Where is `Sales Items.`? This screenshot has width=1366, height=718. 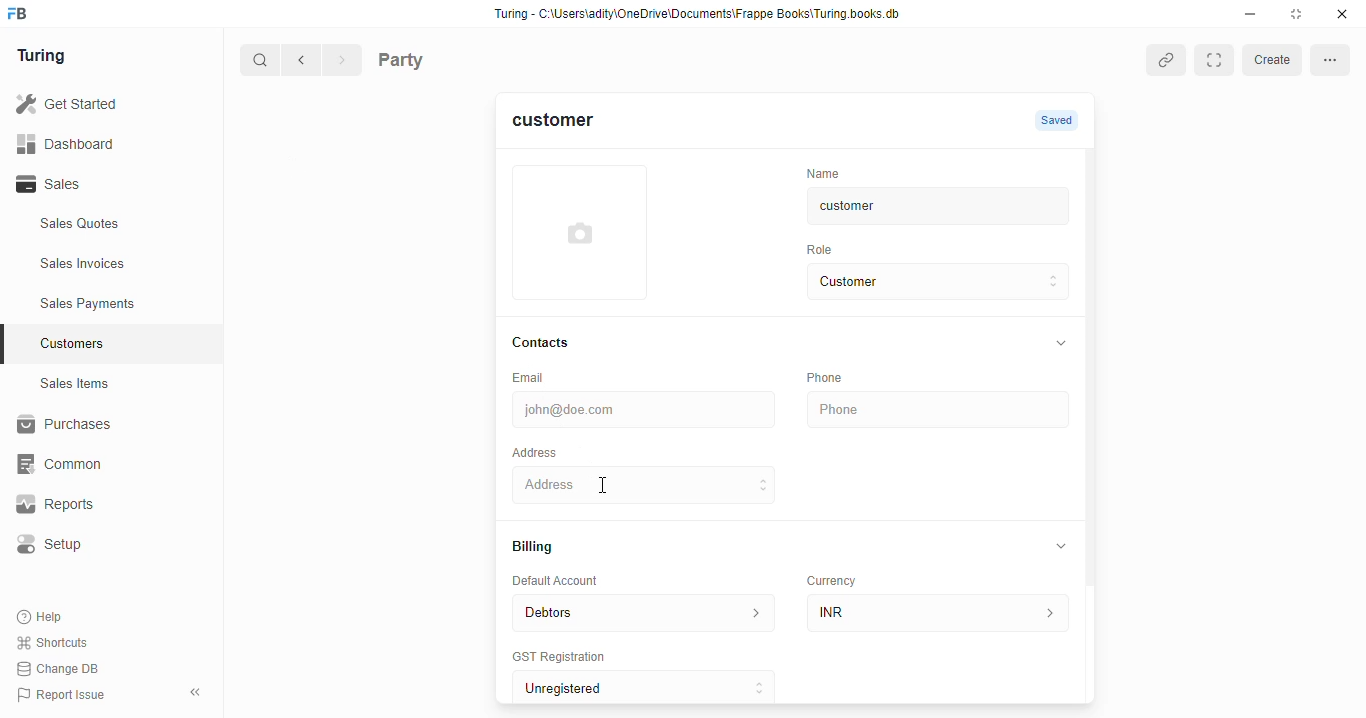
Sales Items. is located at coordinates (111, 384).